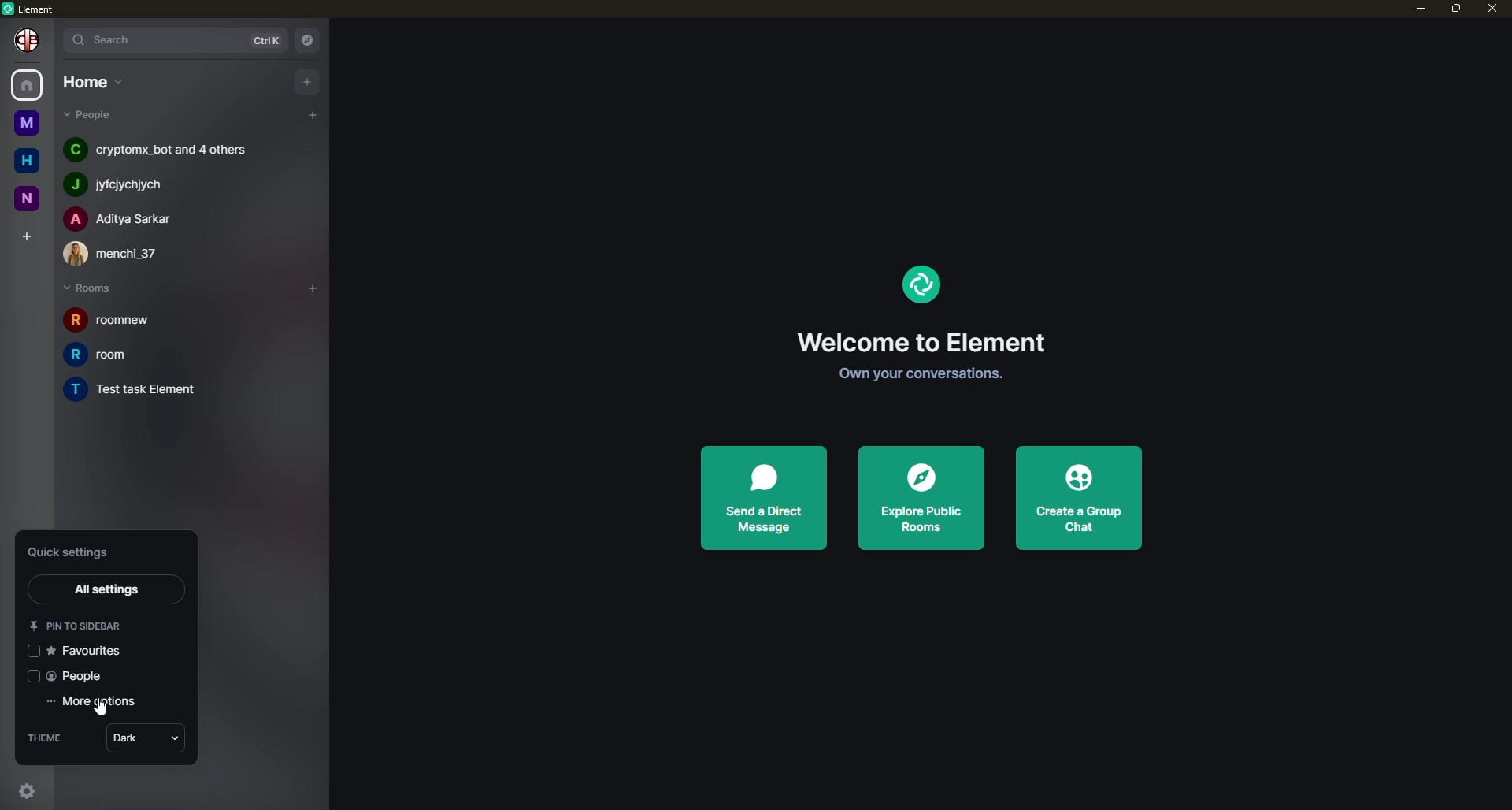  Describe the element at coordinates (111, 588) in the screenshot. I see `all settings` at that location.